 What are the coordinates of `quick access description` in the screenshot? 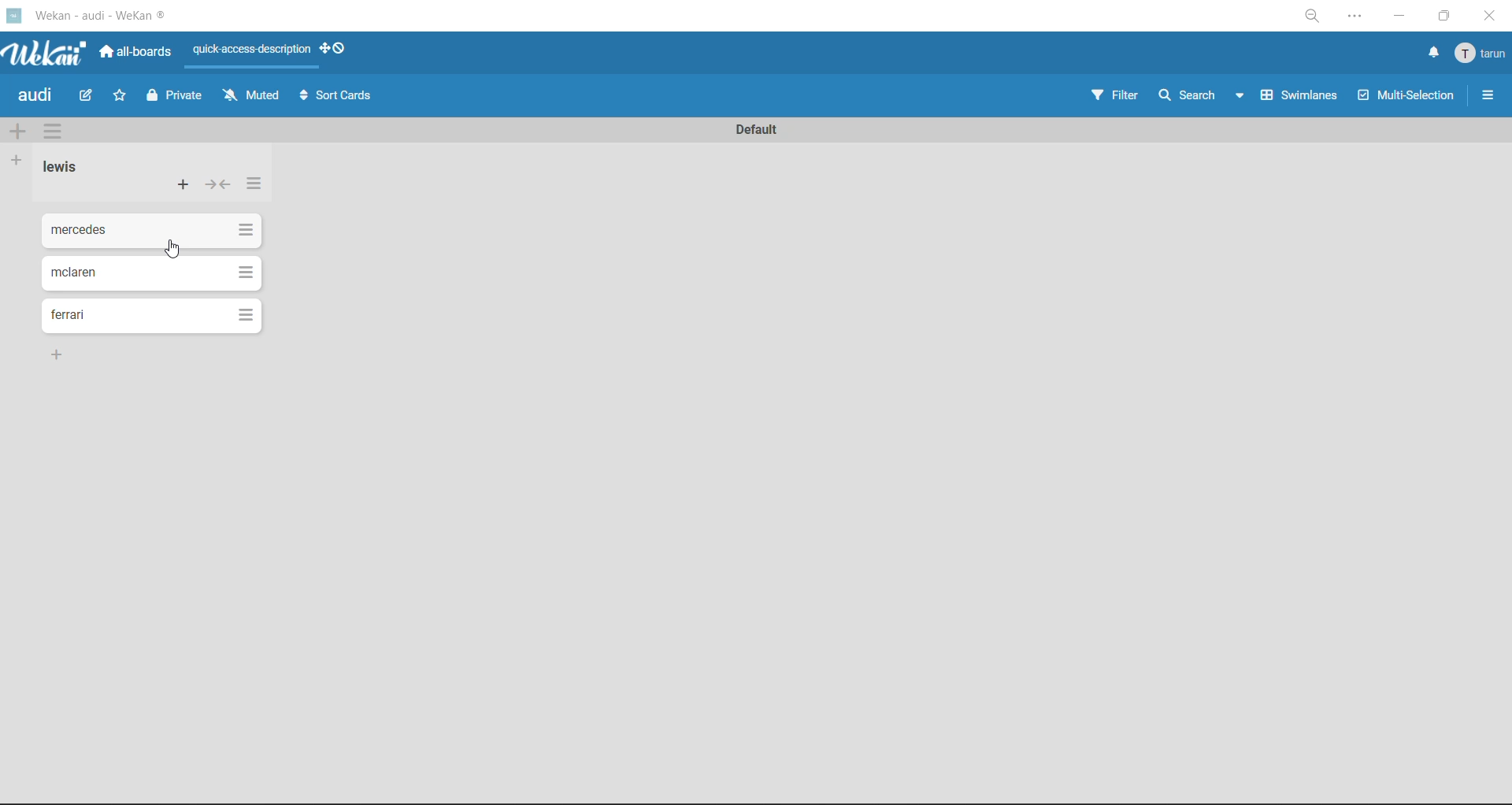 It's located at (253, 50).